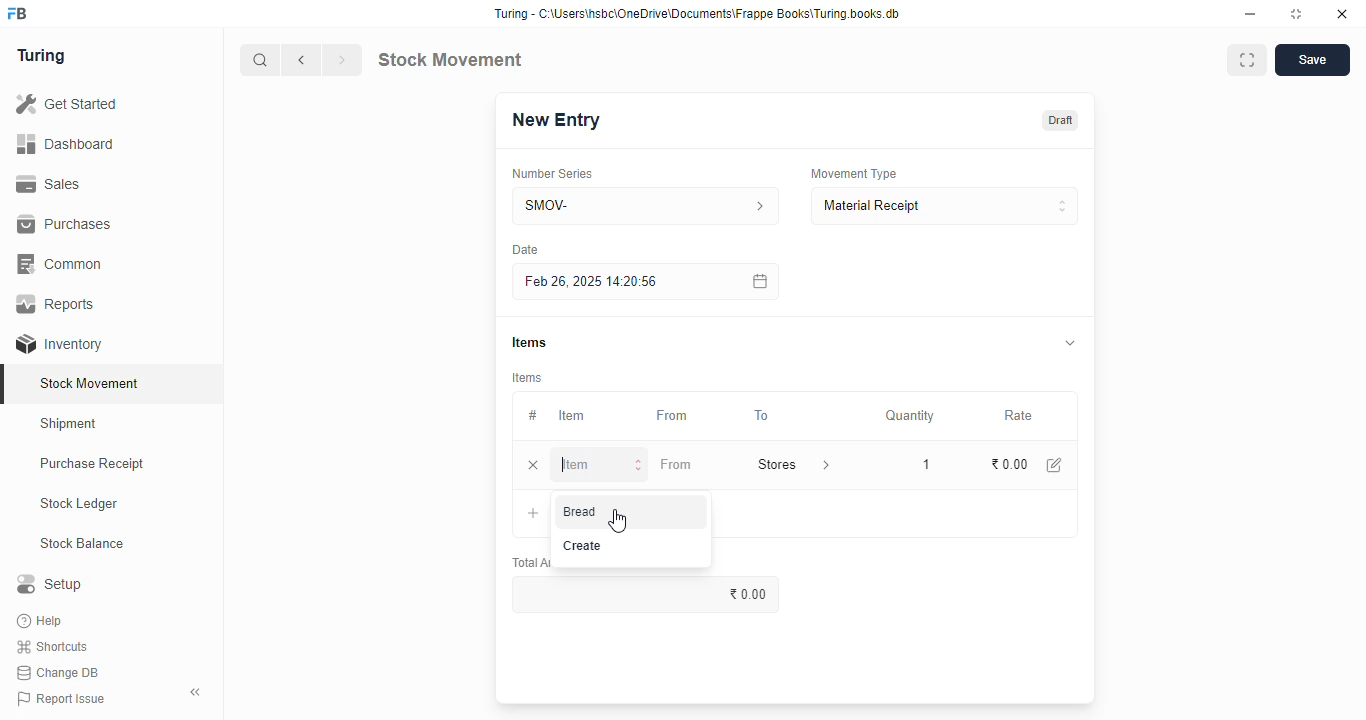  What do you see at coordinates (529, 342) in the screenshot?
I see `items` at bounding box center [529, 342].